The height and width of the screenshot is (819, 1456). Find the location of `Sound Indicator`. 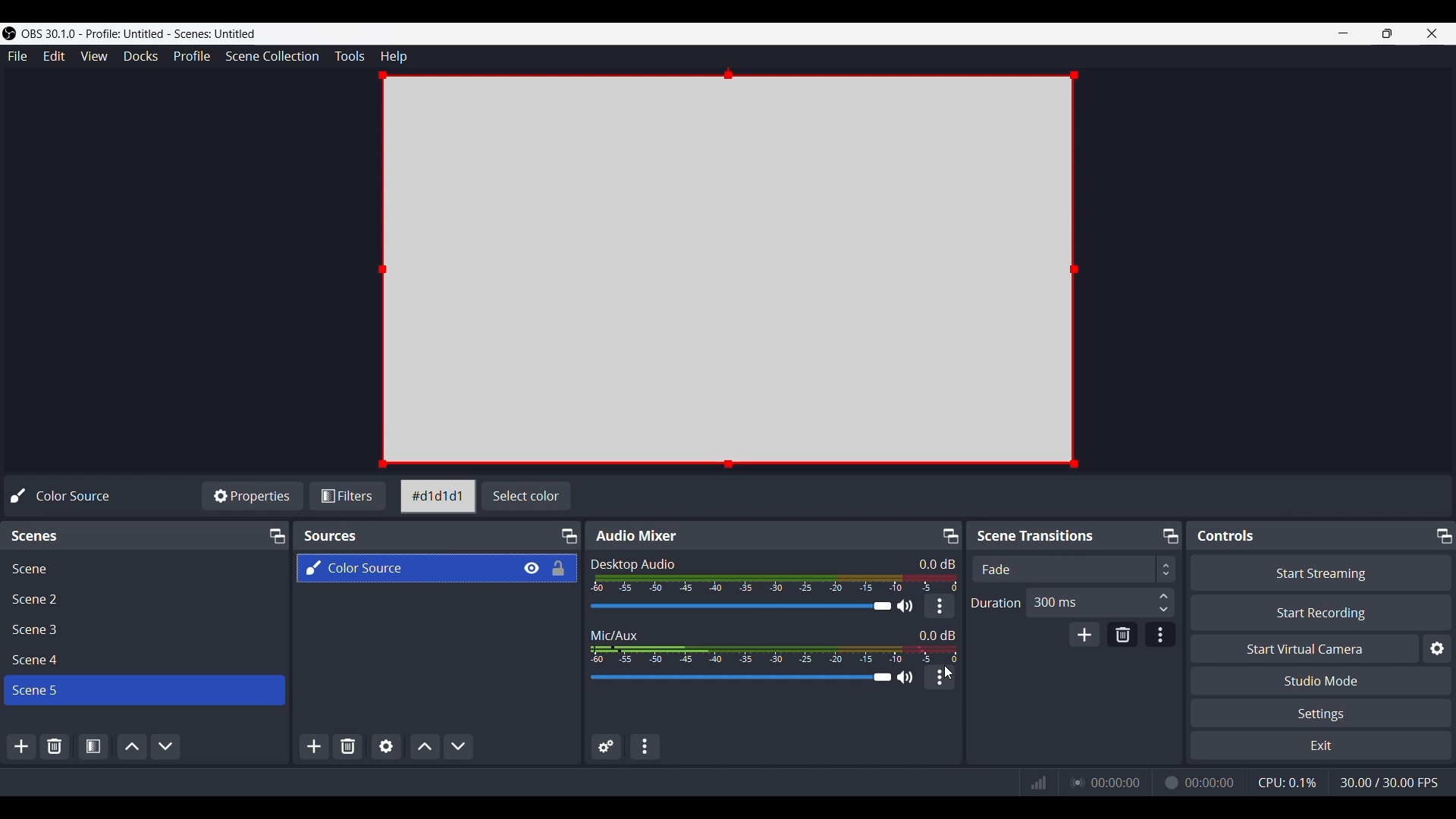

Sound Indicator is located at coordinates (772, 654).